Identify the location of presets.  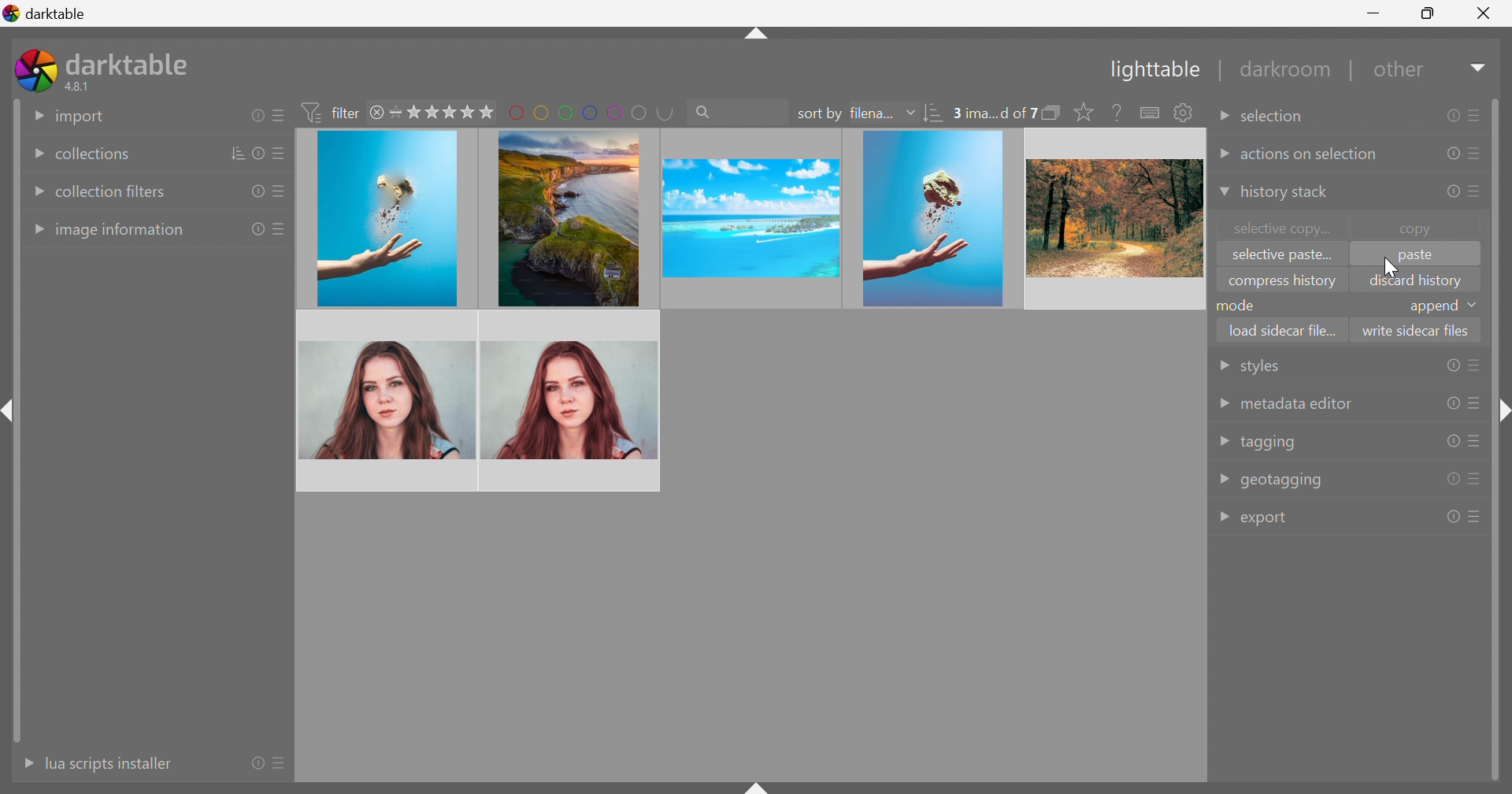
(280, 228).